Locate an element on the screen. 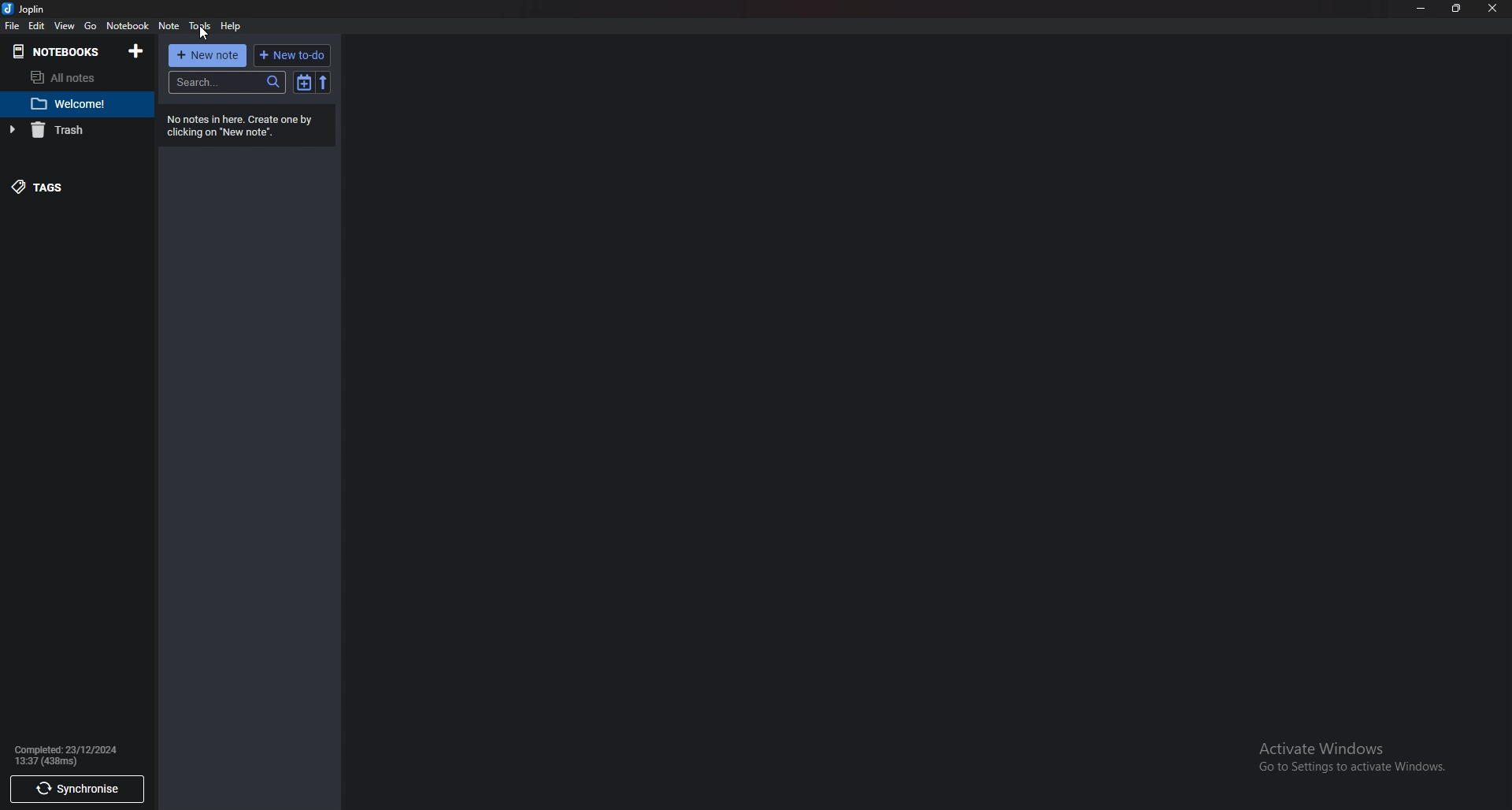 Image resolution: width=1512 pixels, height=810 pixels. Notebook is located at coordinates (128, 25).